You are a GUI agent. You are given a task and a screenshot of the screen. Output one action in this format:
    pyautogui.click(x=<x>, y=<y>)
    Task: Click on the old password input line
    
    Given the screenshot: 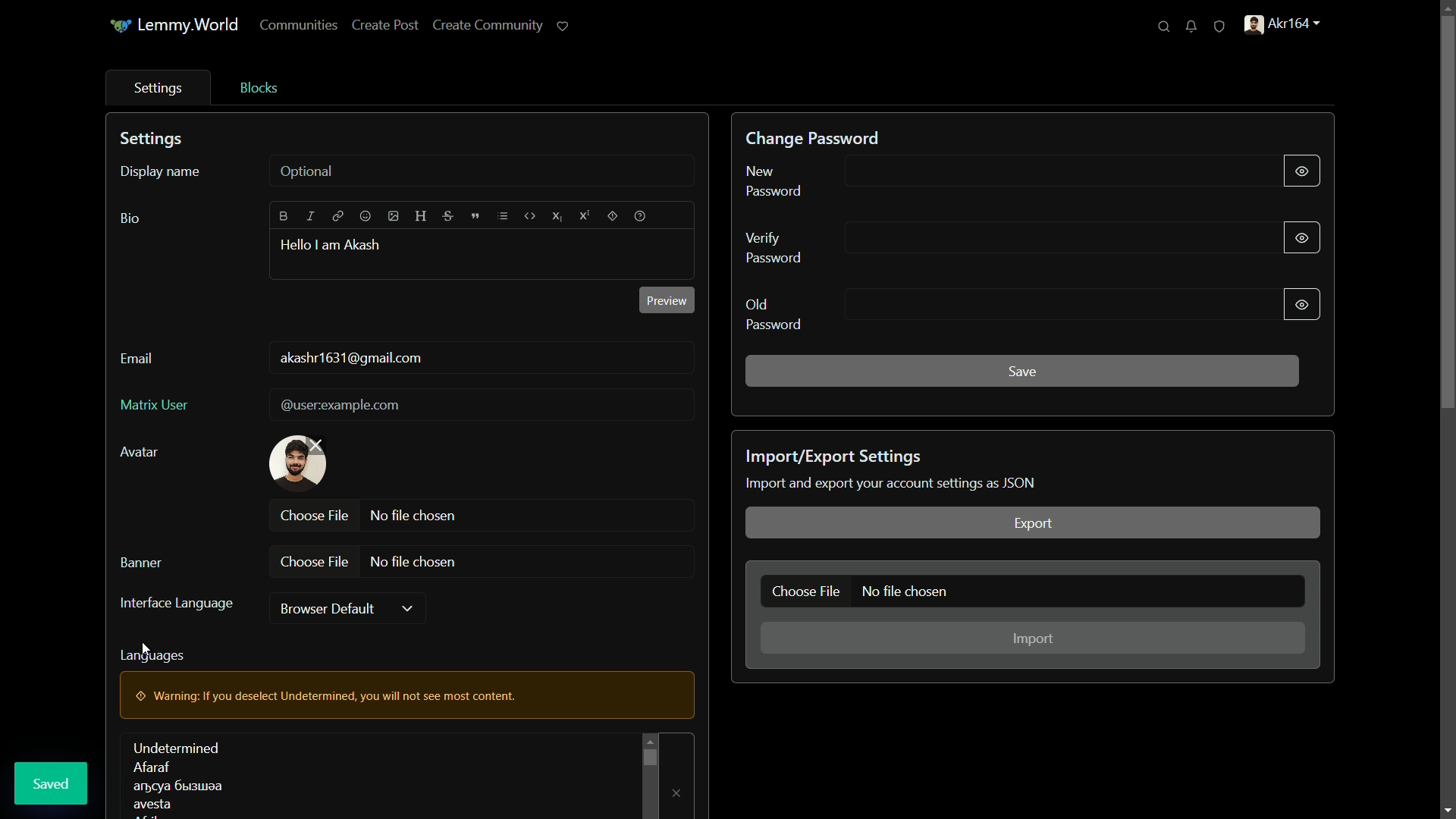 What is the action you would take?
    pyautogui.click(x=1058, y=304)
    